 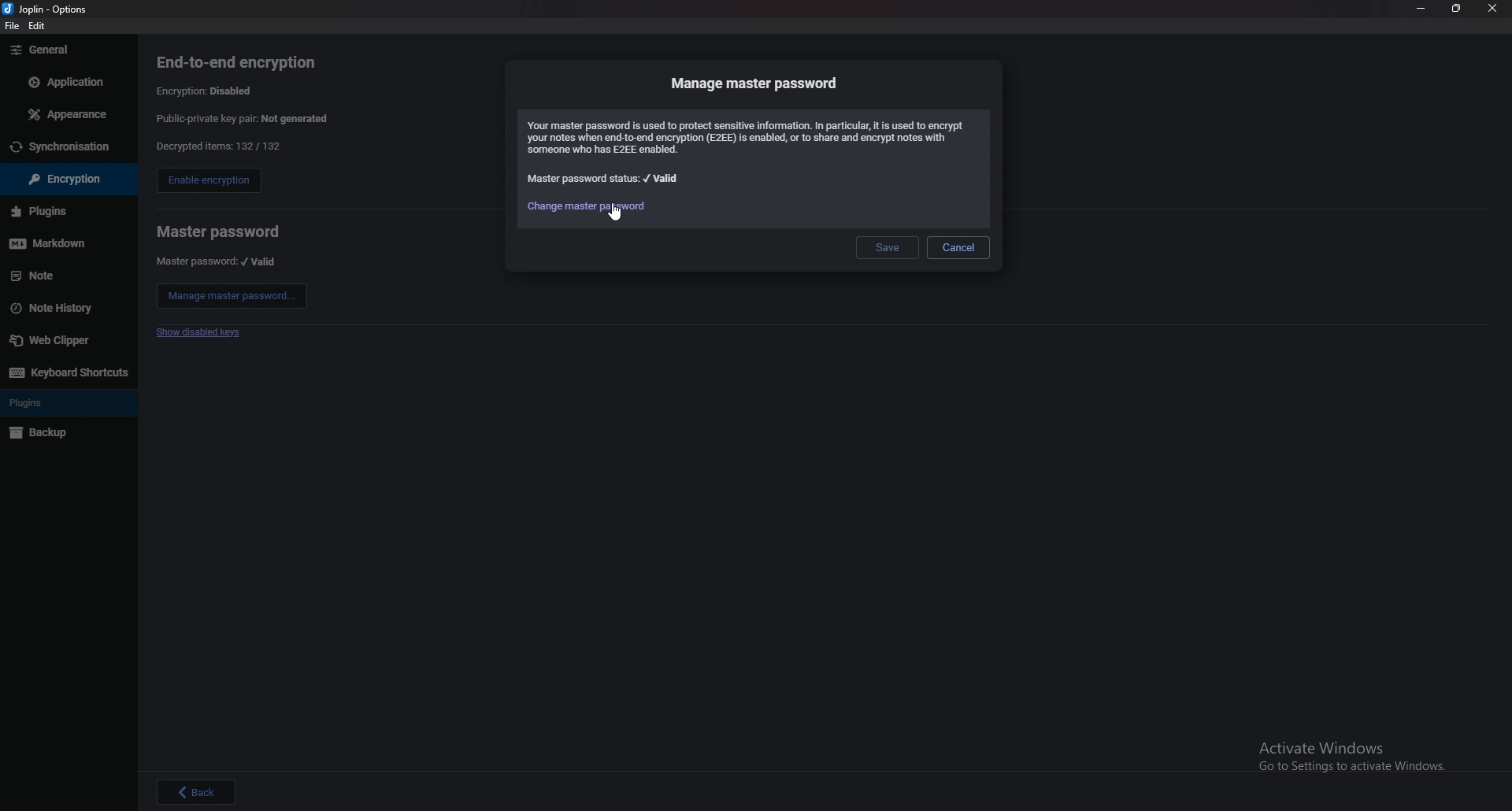 I want to click on close, so click(x=1494, y=9).